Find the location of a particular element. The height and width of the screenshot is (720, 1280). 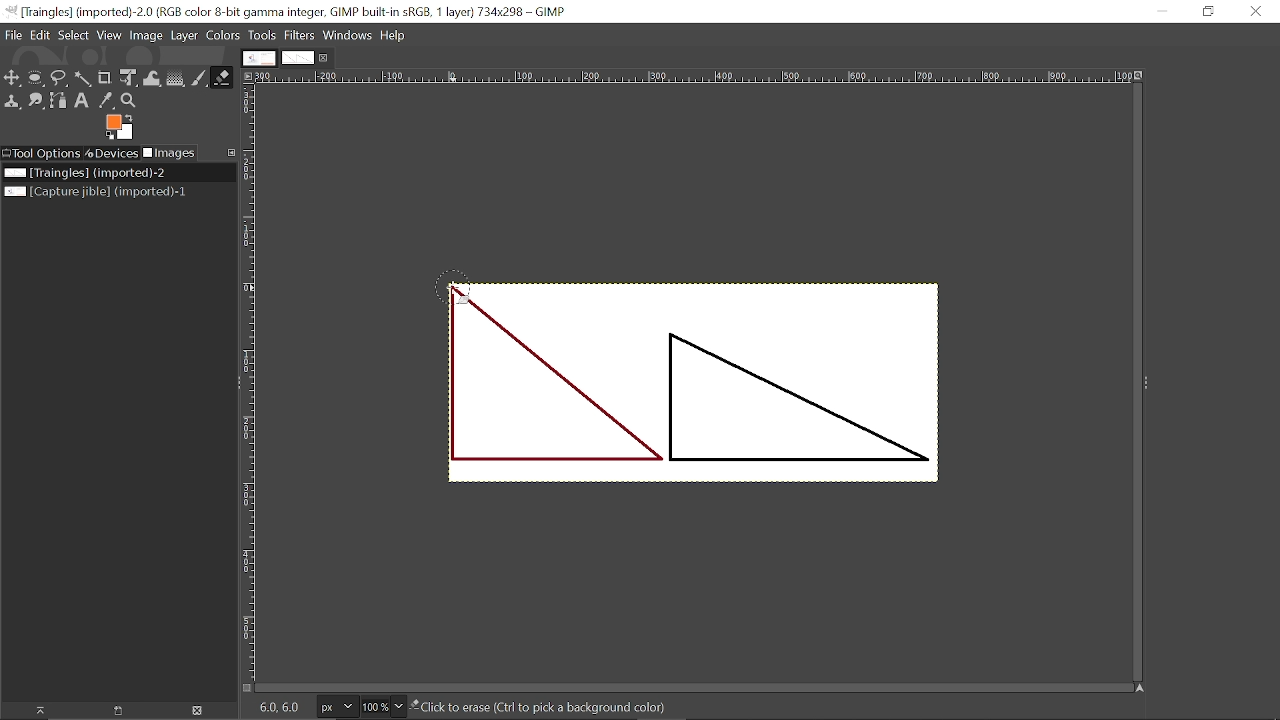

Windows is located at coordinates (347, 35).